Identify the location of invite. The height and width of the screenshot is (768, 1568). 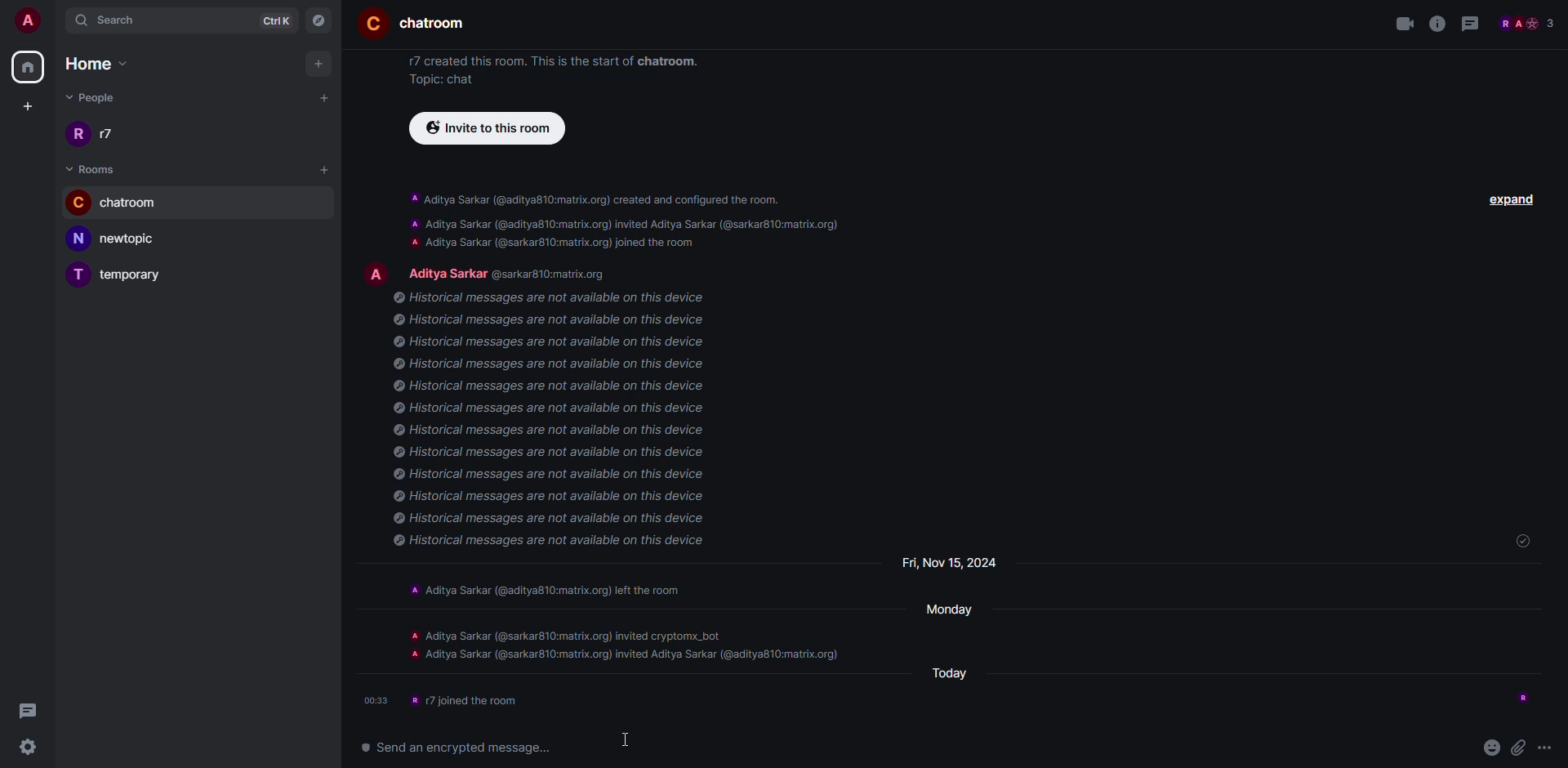
(485, 128).